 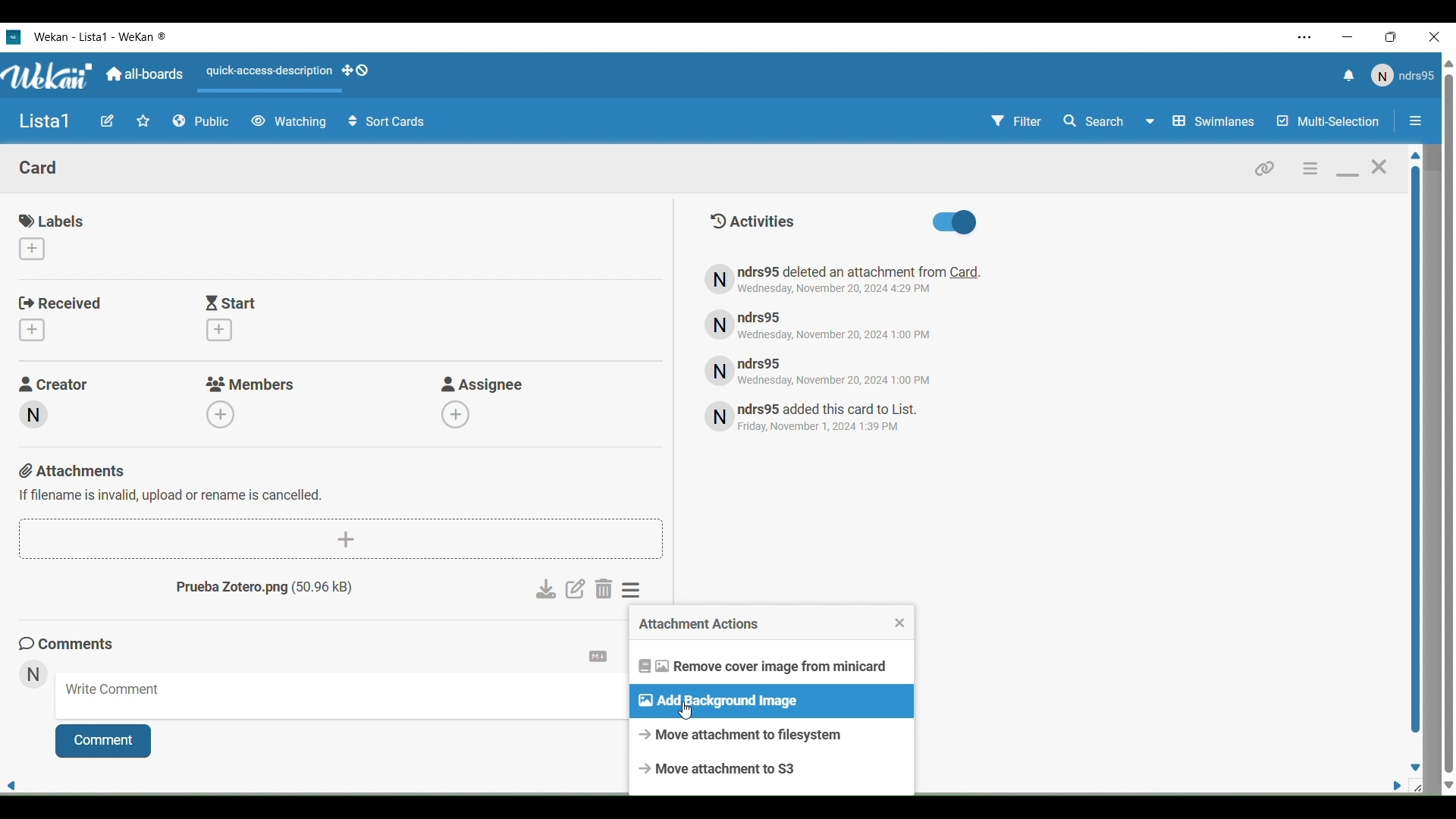 What do you see at coordinates (1348, 175) in the screenshot?
I see `Minimize` at bounding box center [1348, 175].